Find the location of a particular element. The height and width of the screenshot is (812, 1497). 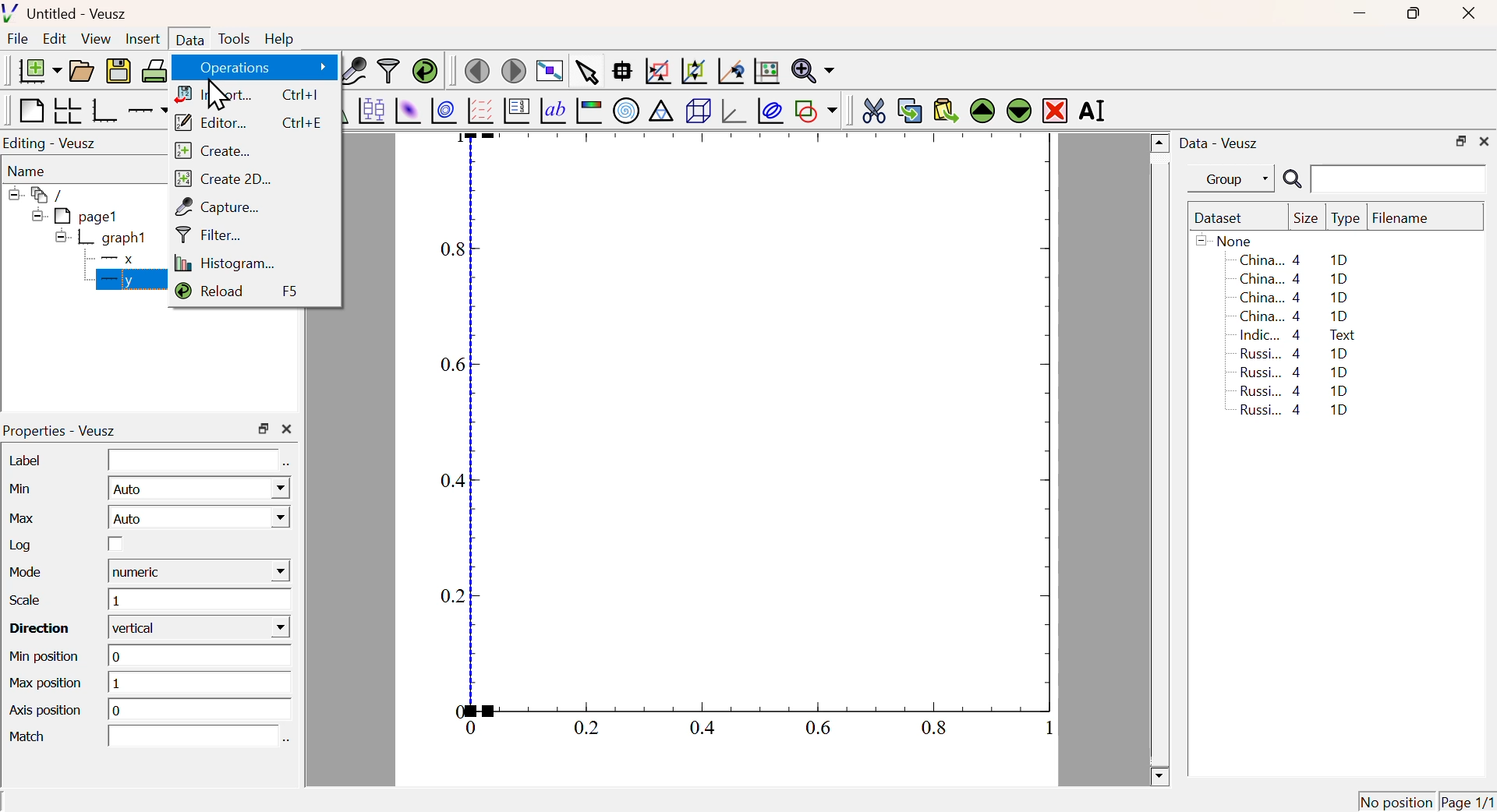

Scroll is located at coordinates (1160, 461).